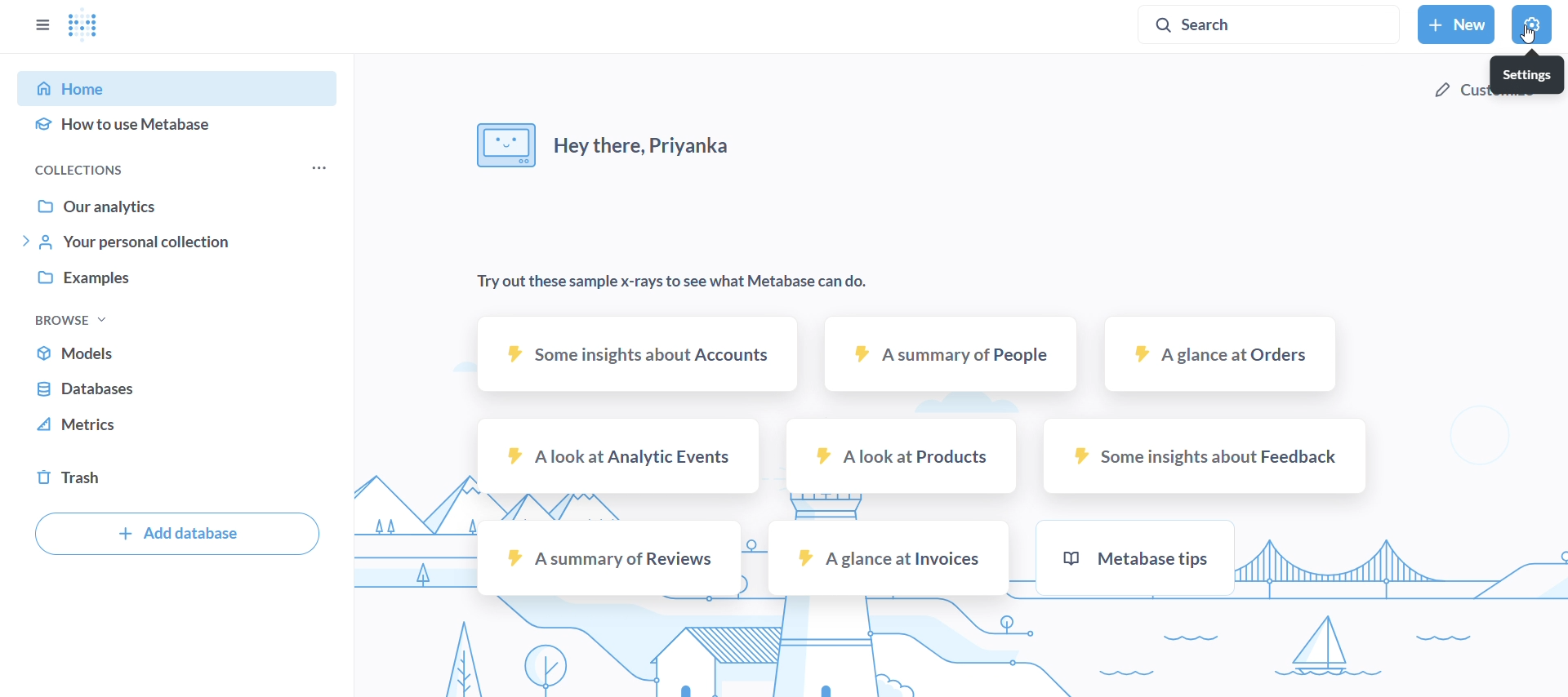 This screenshot has height=697, width=1568. I want to click on more, so click(316, 168).